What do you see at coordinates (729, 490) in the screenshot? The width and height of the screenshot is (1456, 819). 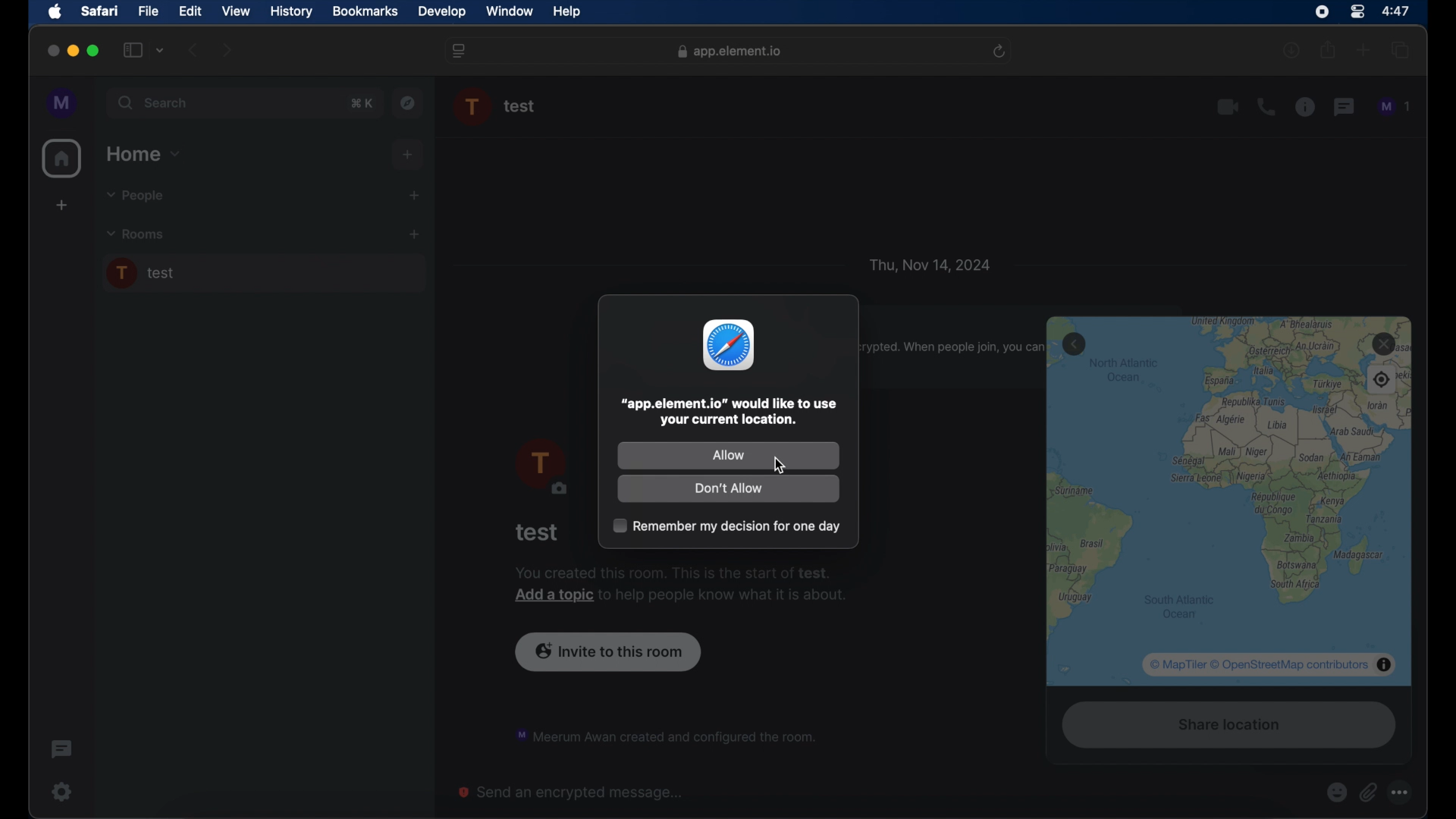 I see `don't allow` at bounding box center [729, 490].